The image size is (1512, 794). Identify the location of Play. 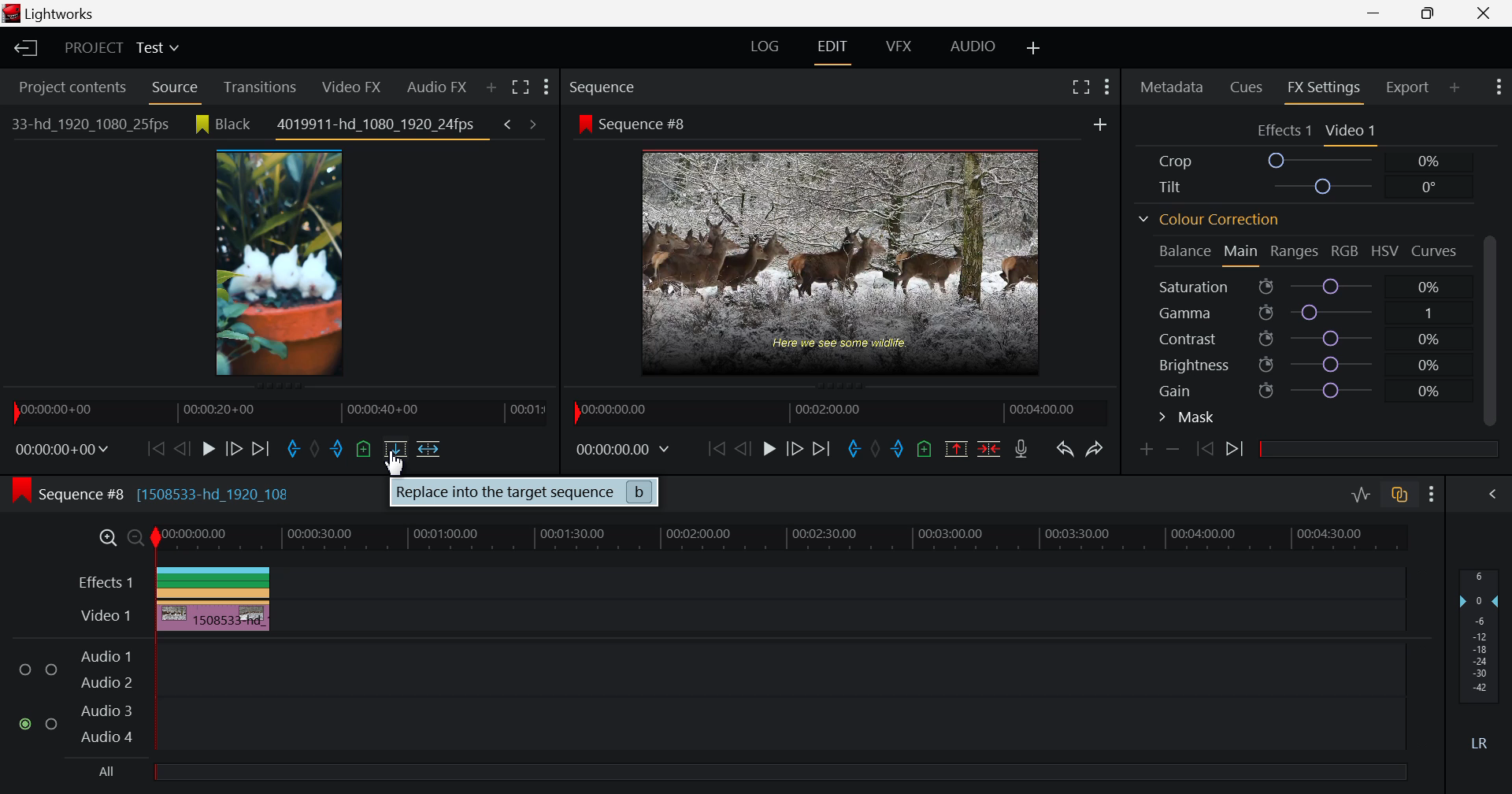
(206, 447).